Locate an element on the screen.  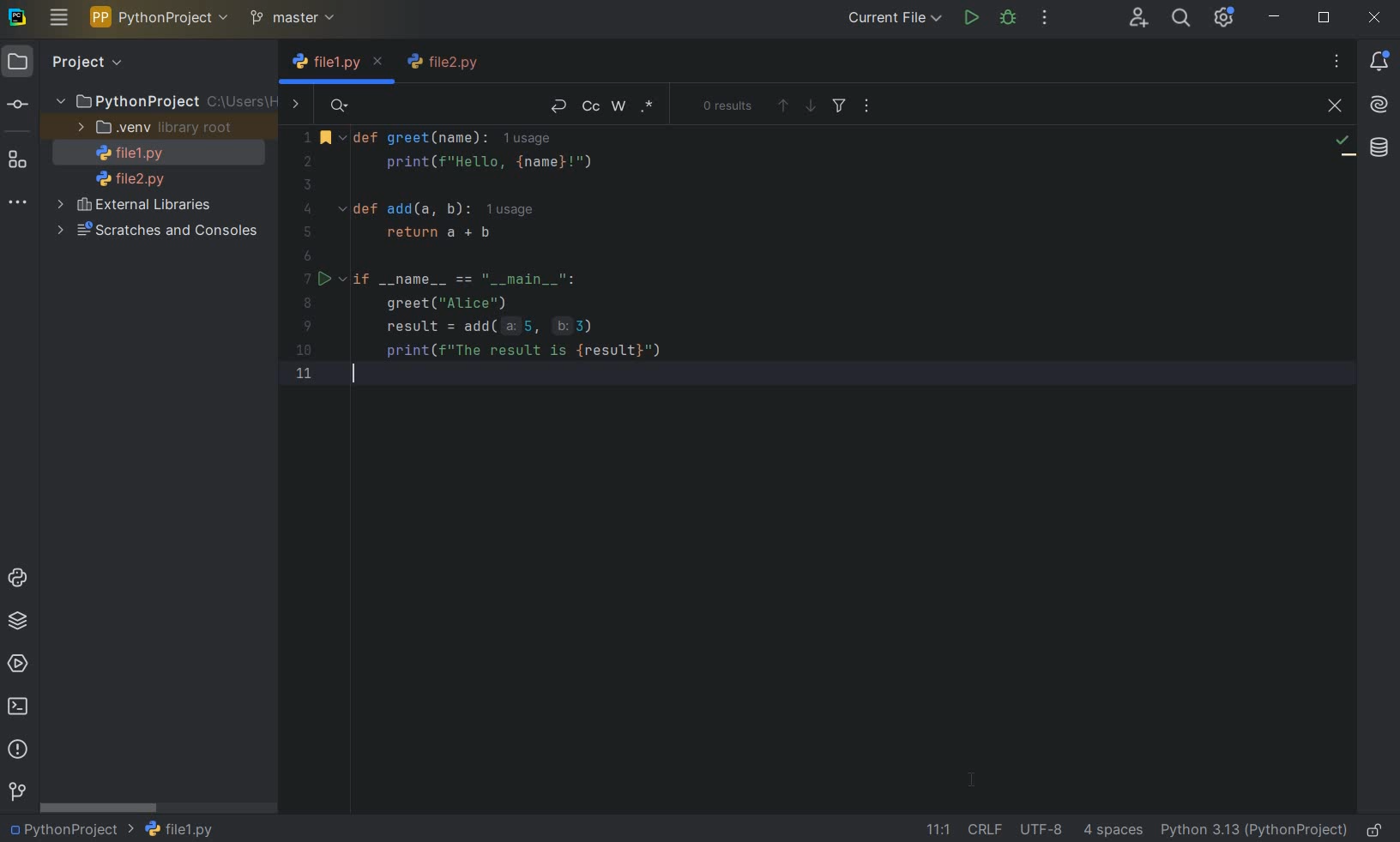
NEW LINE is located at coordinates (558, 106).